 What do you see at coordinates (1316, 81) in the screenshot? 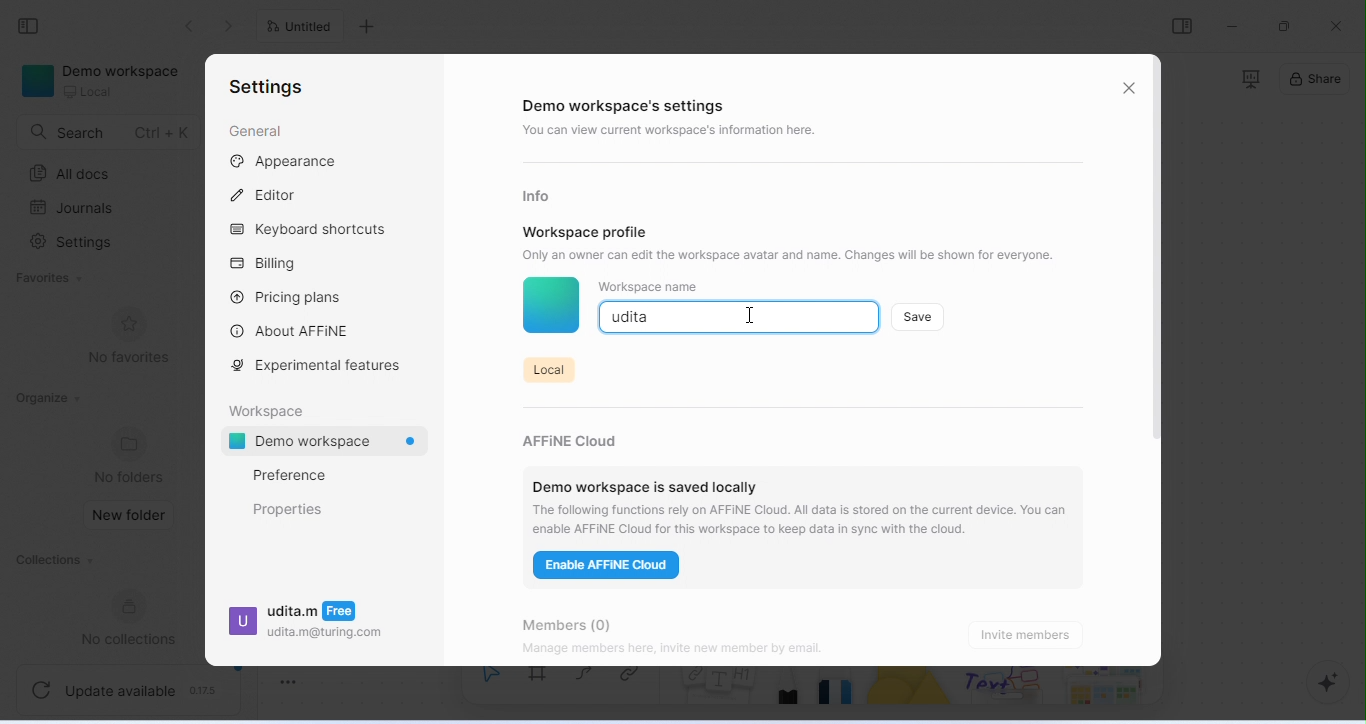
I see `share` at bounding box center [1316, 81].